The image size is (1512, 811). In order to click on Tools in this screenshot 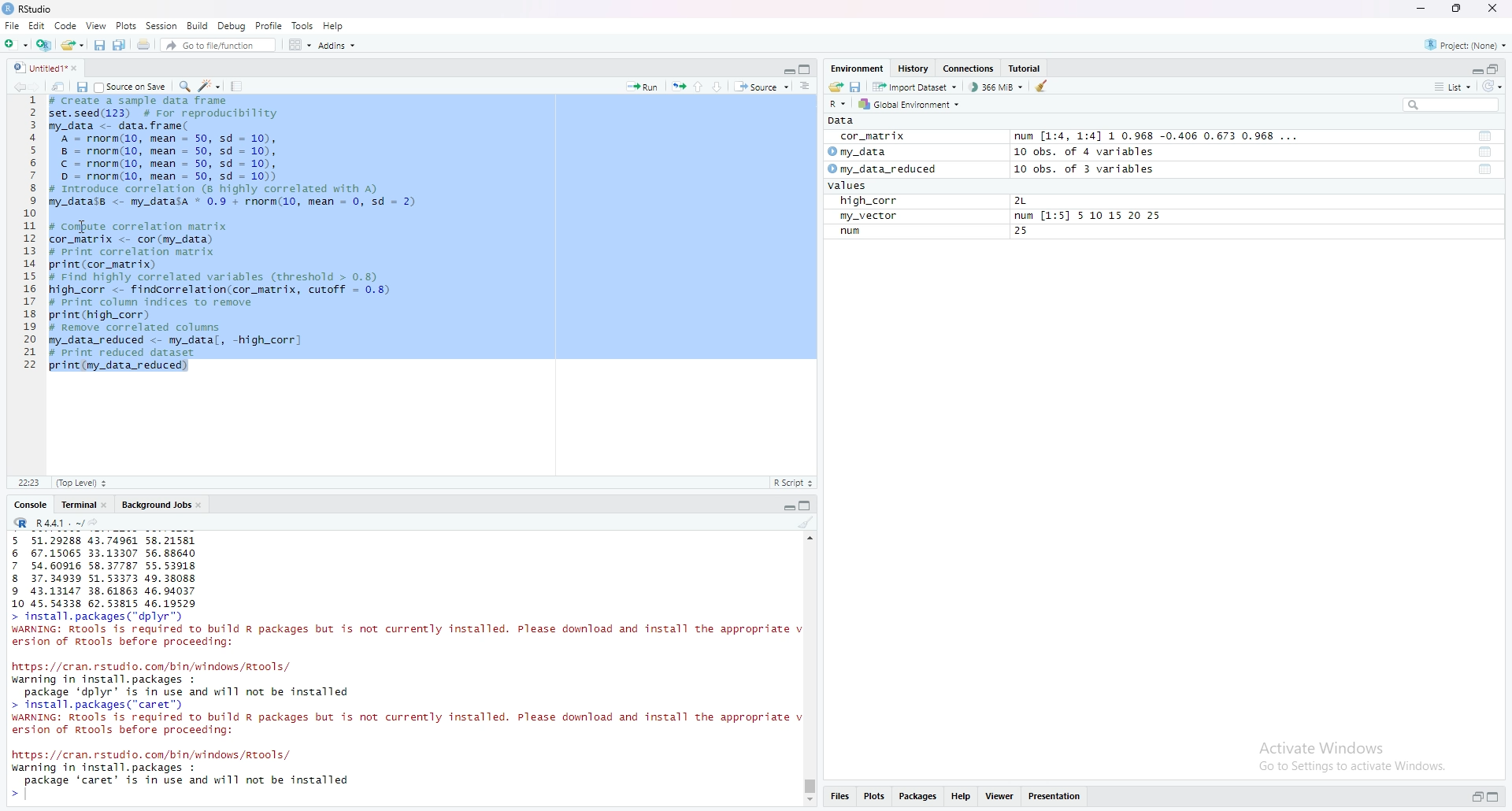, I will do `click(304, 25)`.